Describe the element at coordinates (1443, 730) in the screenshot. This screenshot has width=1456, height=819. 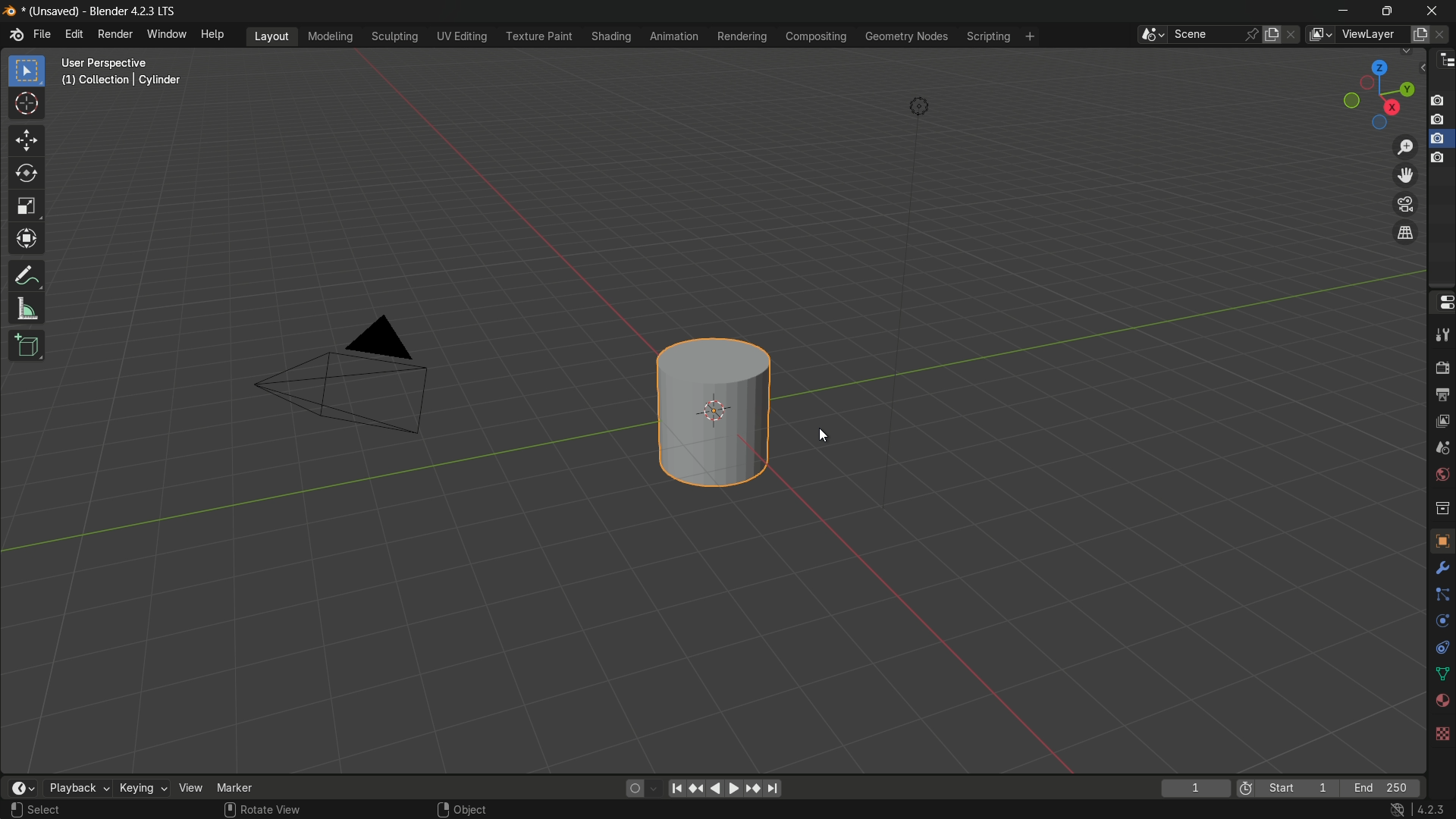
I see `textures` at that location.